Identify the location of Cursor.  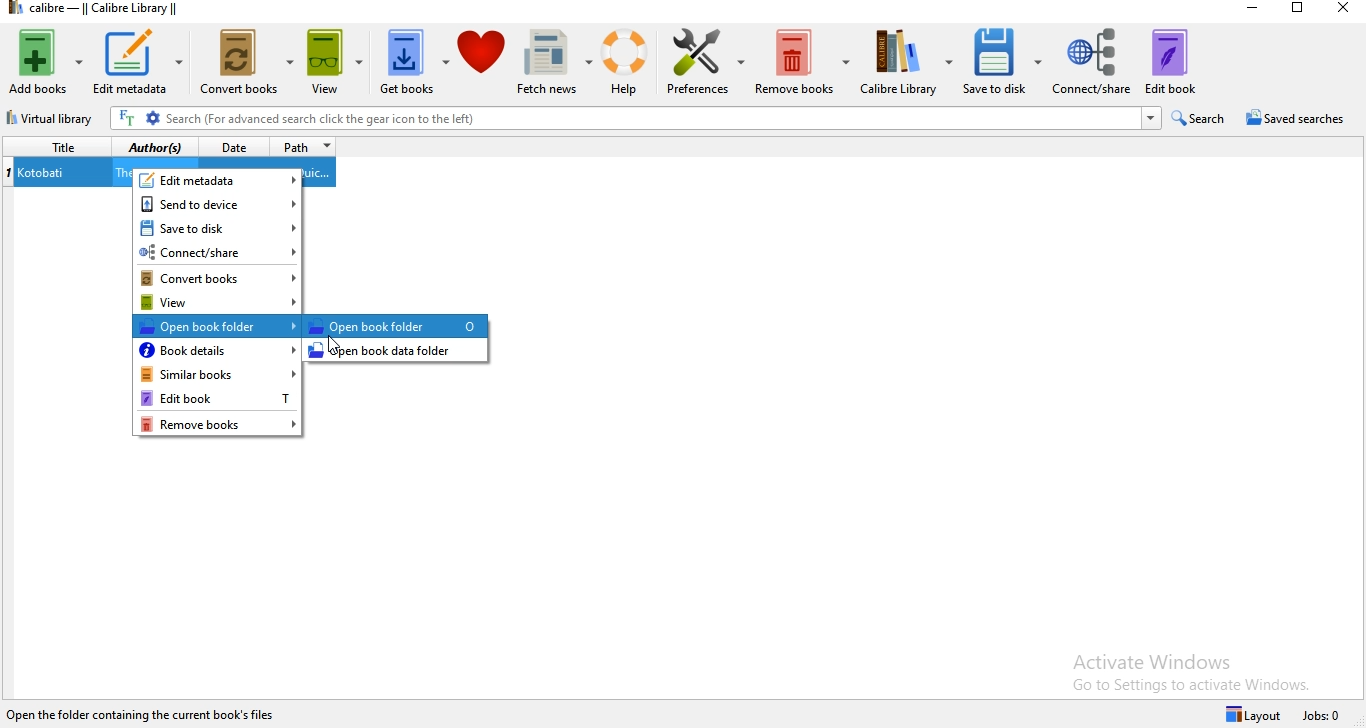
(337, 345).